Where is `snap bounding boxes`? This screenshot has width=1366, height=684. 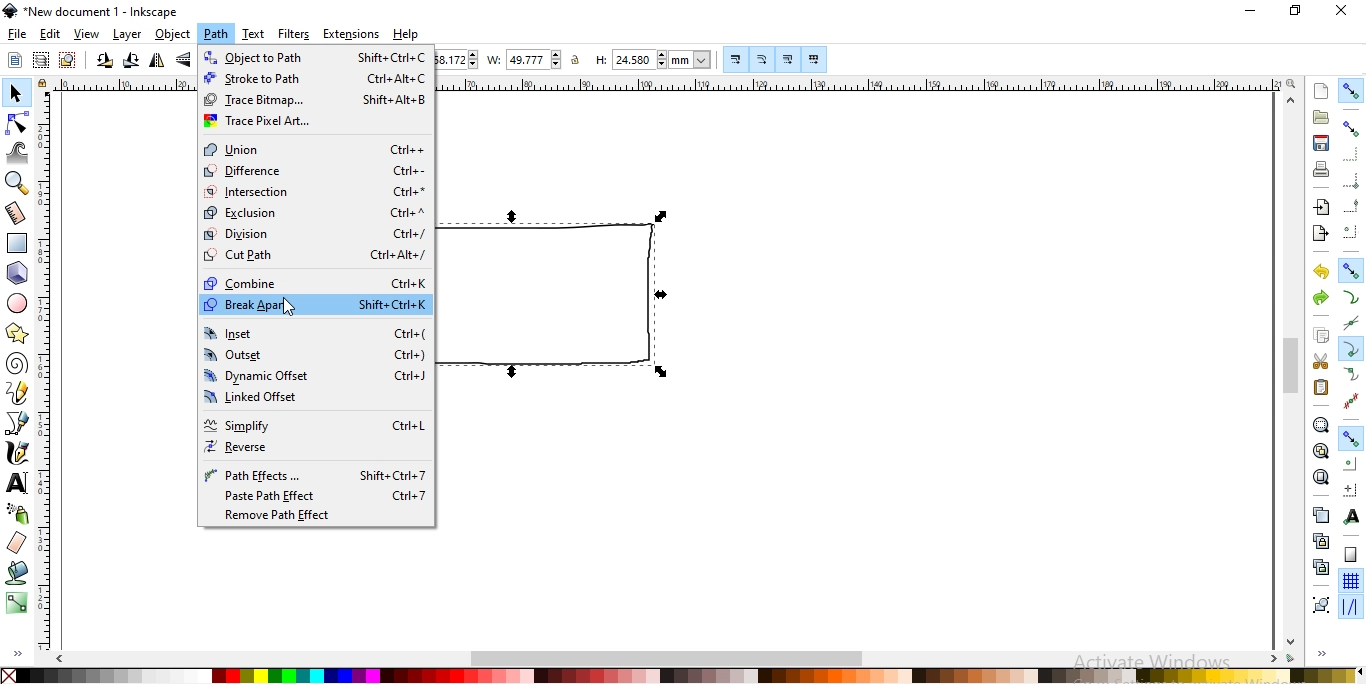 snap bounding boxes is located at coordinates (1353, 127).